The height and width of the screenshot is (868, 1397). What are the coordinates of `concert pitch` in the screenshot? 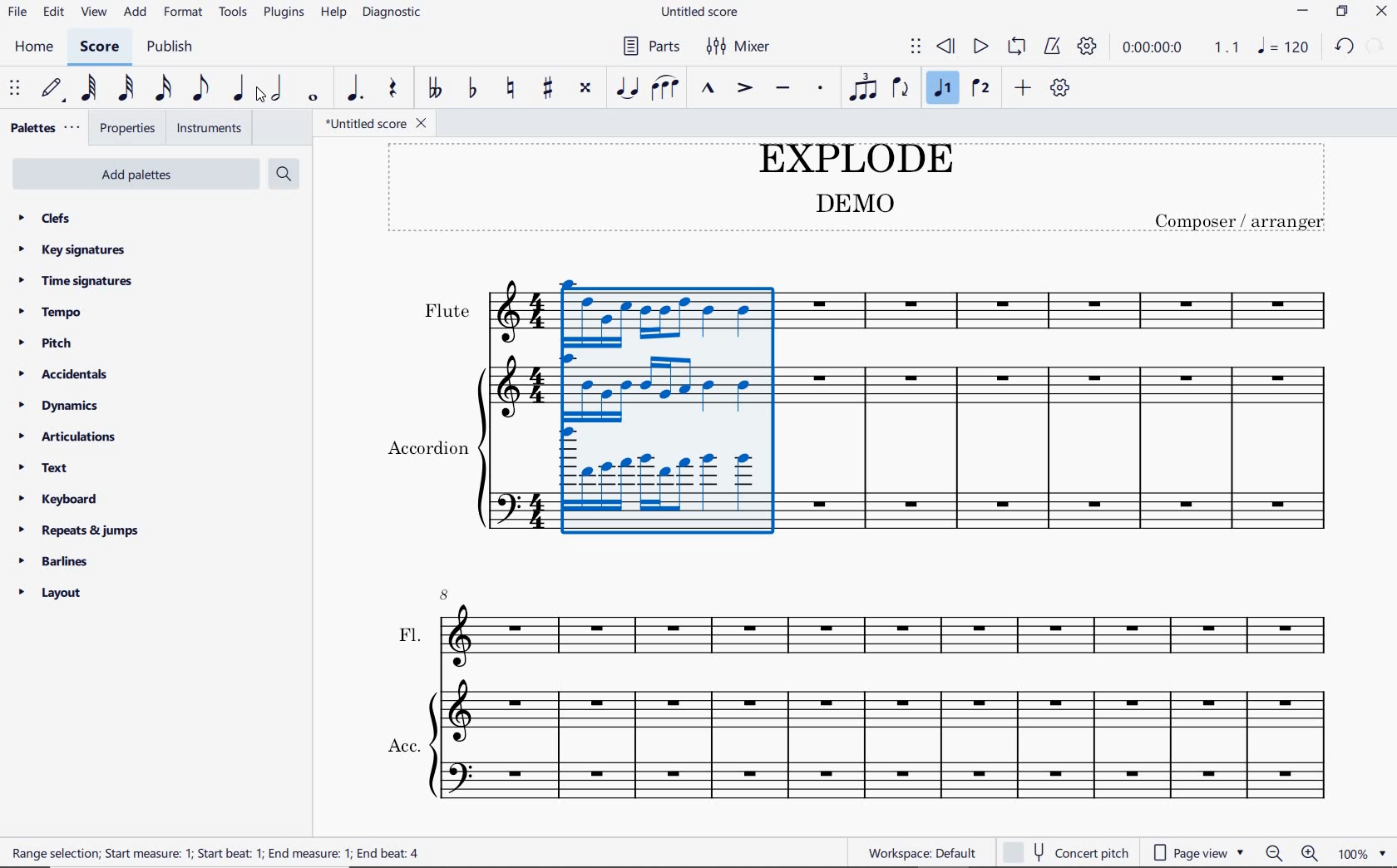 It's located at (1068, 849).